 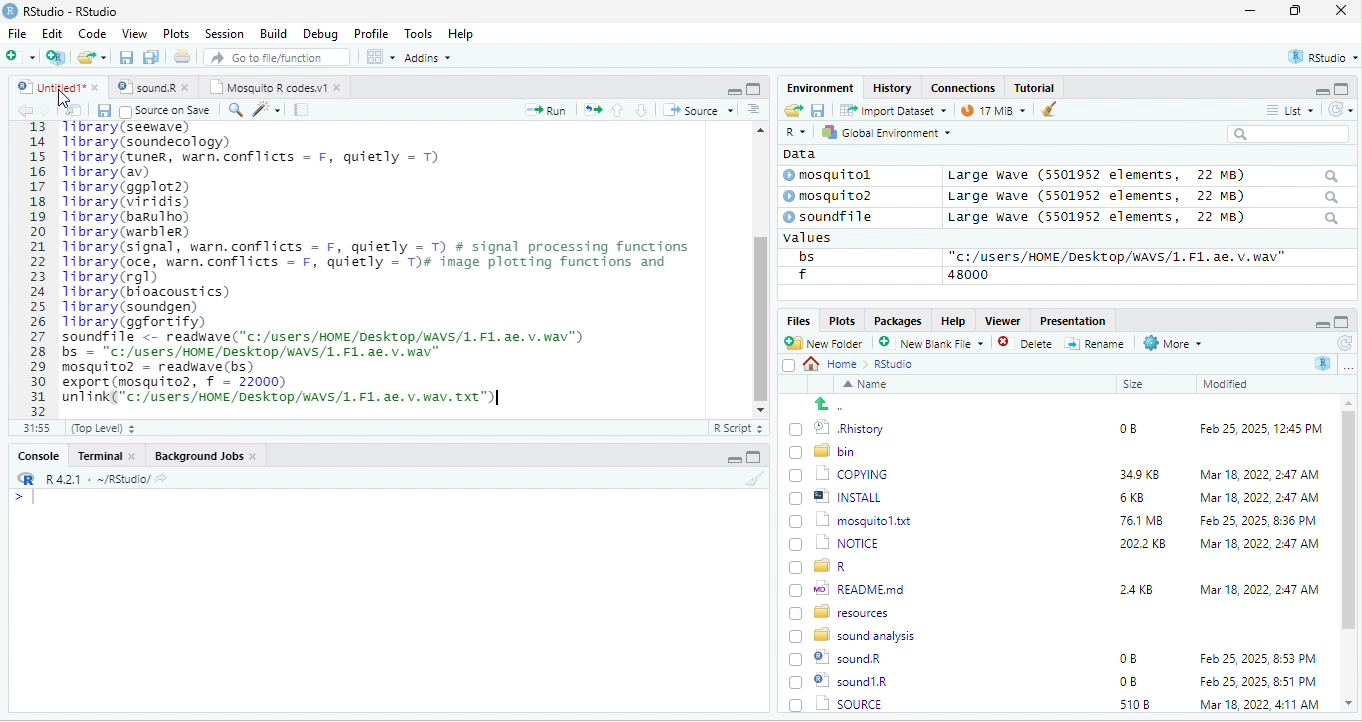 What do you see at coordinates (731, 460) in the screenshot?
I see `minimize` at bounding box center [731, 460].